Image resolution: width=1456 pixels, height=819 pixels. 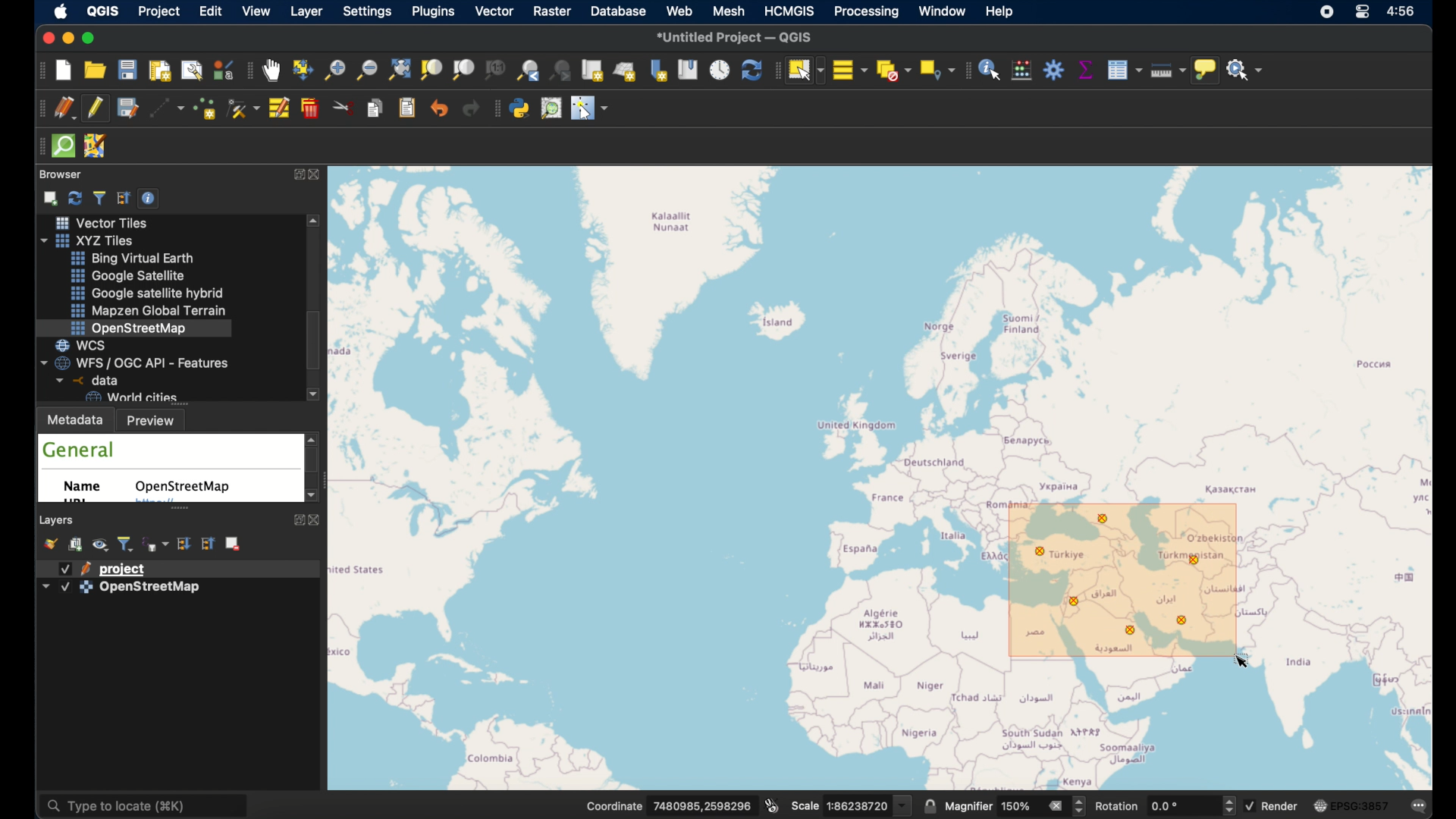 What do you see at coordinates (1053, 70) in the screenshot?
I see `toolbox` at bounding box center [1053, 70].